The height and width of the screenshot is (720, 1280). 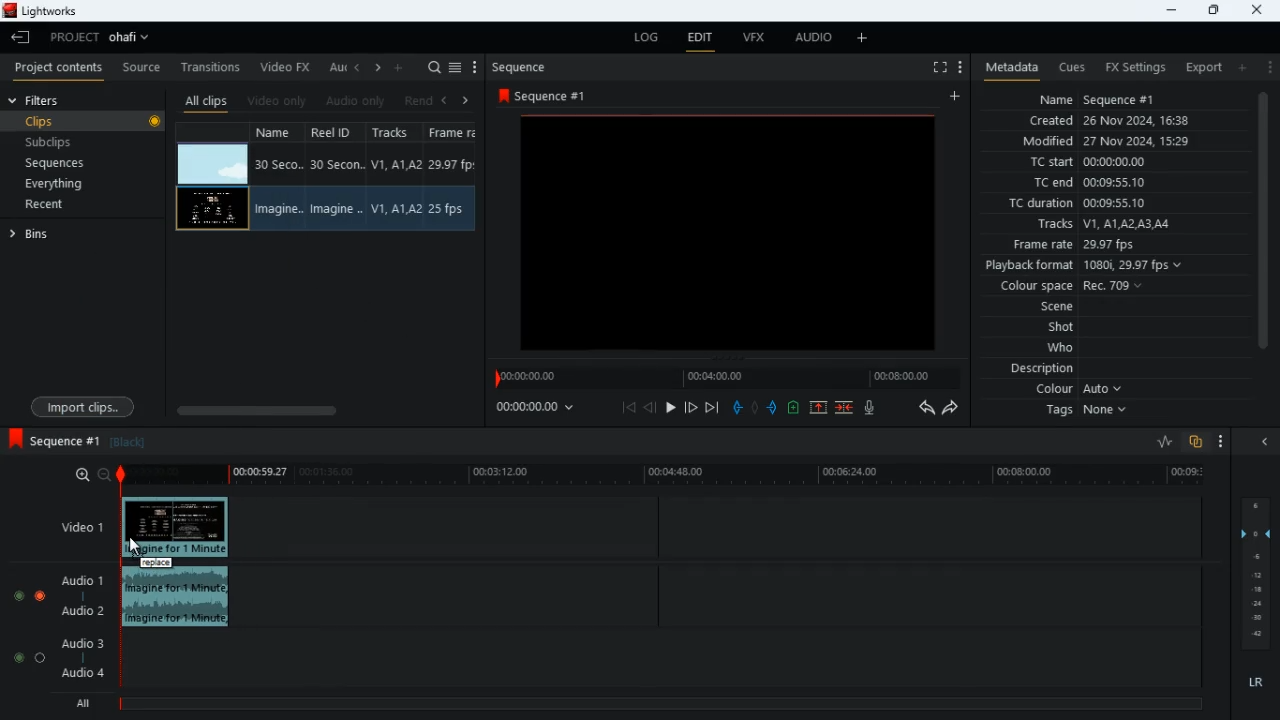 What do you see at coordinates (958, 66) in the screenshot?
I see `more` at bounding box center [958, 66].